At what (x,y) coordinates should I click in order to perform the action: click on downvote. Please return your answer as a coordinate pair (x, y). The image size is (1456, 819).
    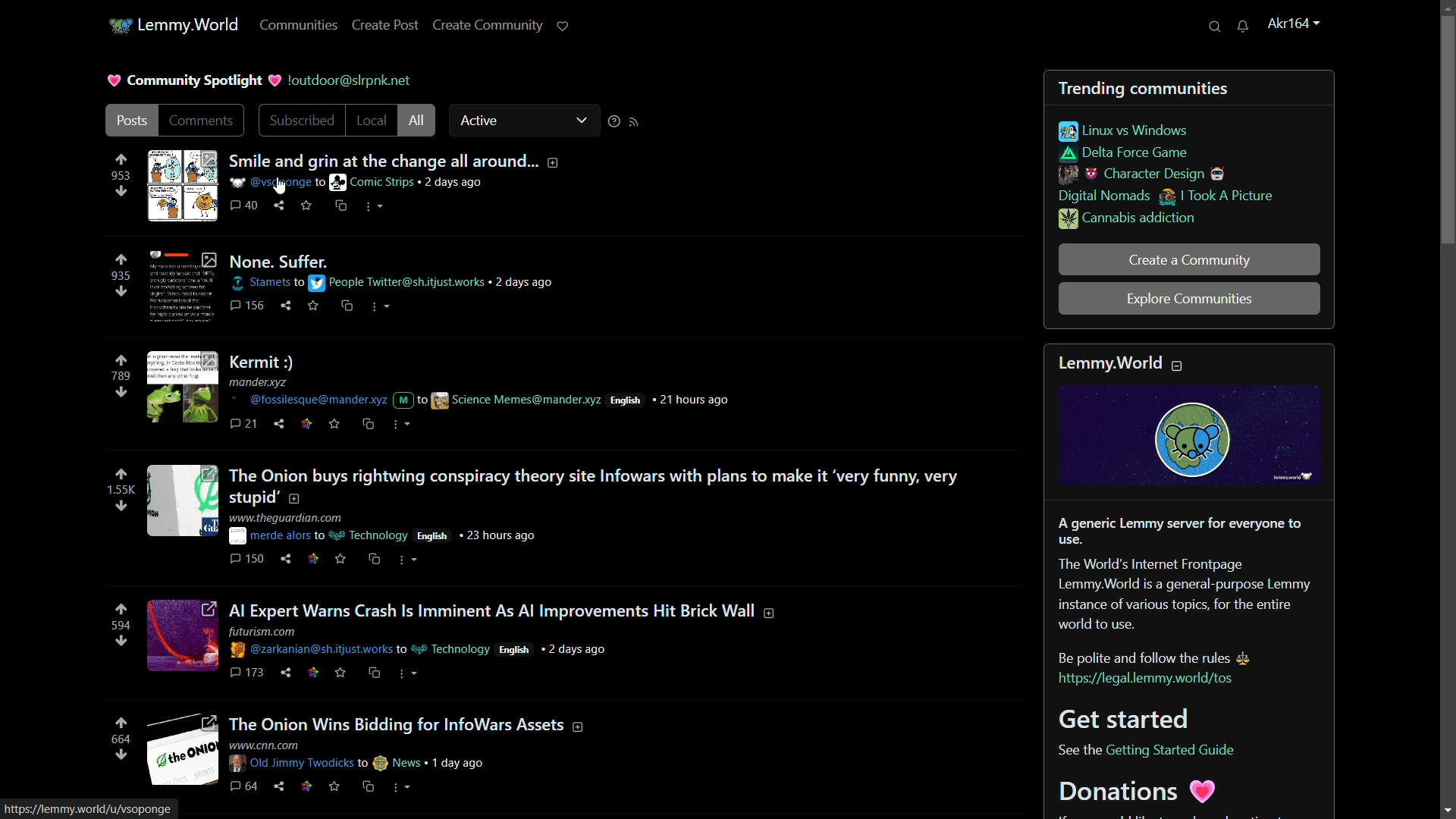
    Looking at the image, I should click on (122, 393).